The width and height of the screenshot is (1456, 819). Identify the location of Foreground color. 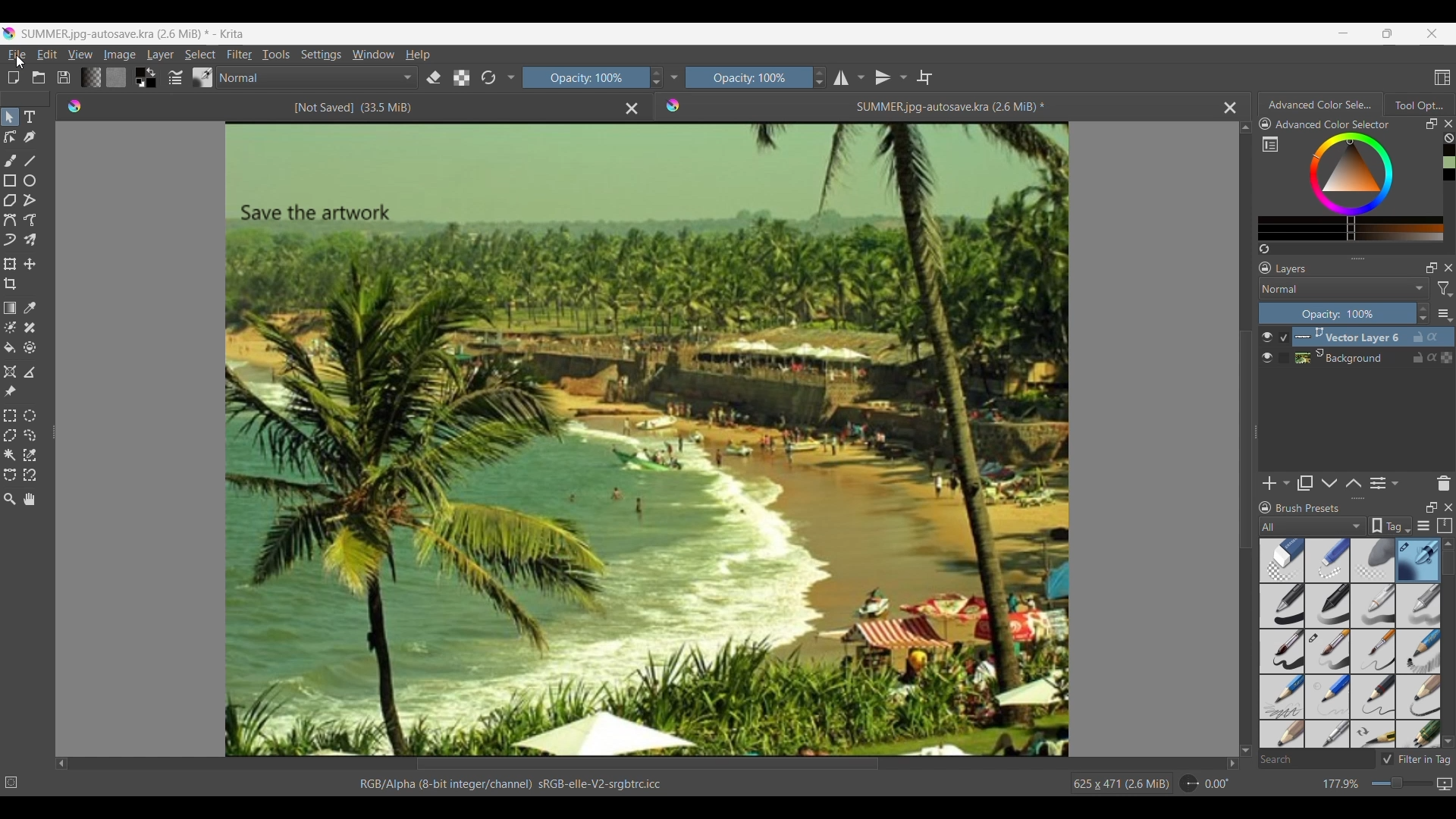
(136, 71).